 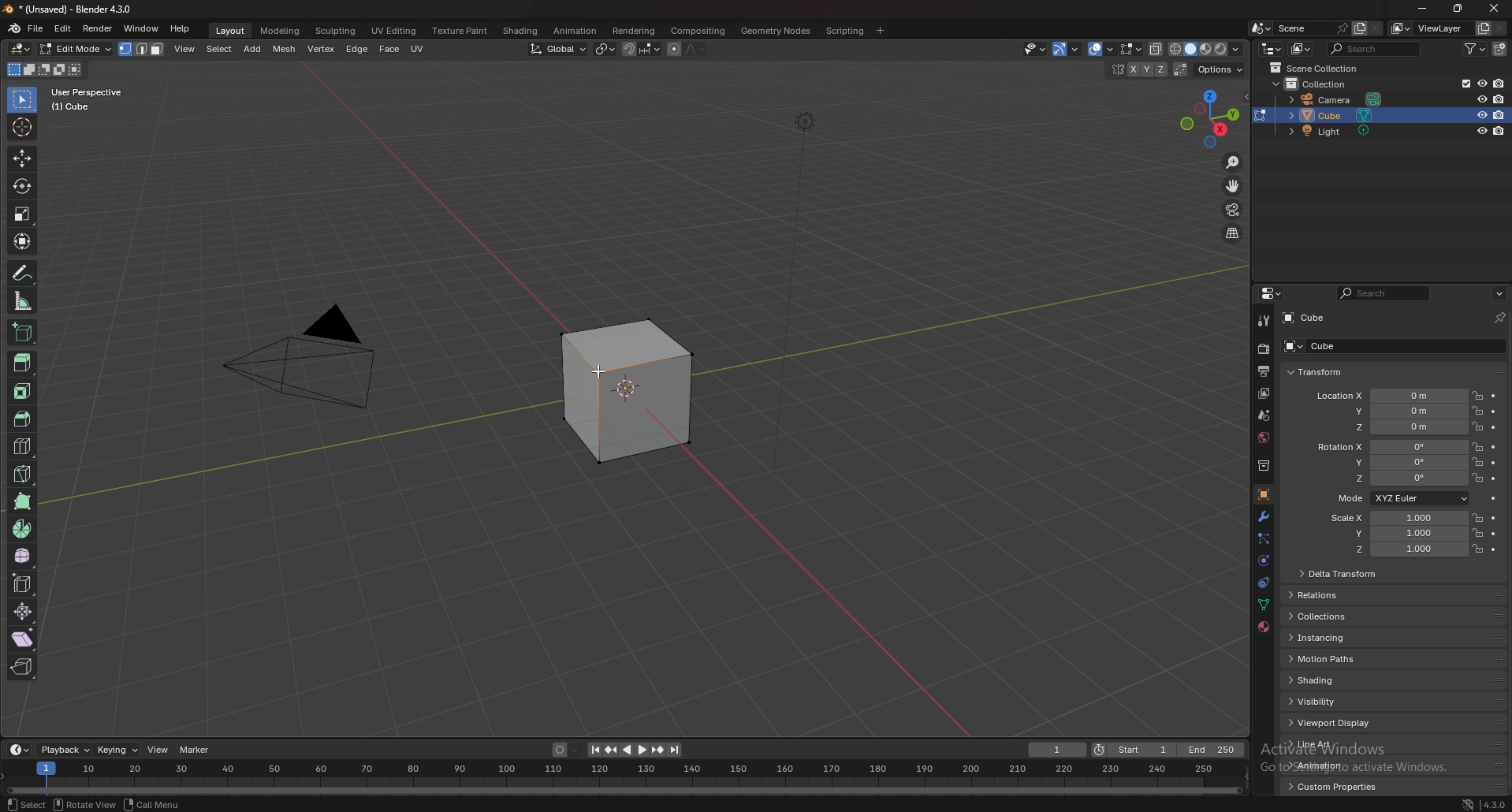 What do you see at coordinates (20, 750) in the screenshot?
I see `editor type` at bounding box center [20, 750].